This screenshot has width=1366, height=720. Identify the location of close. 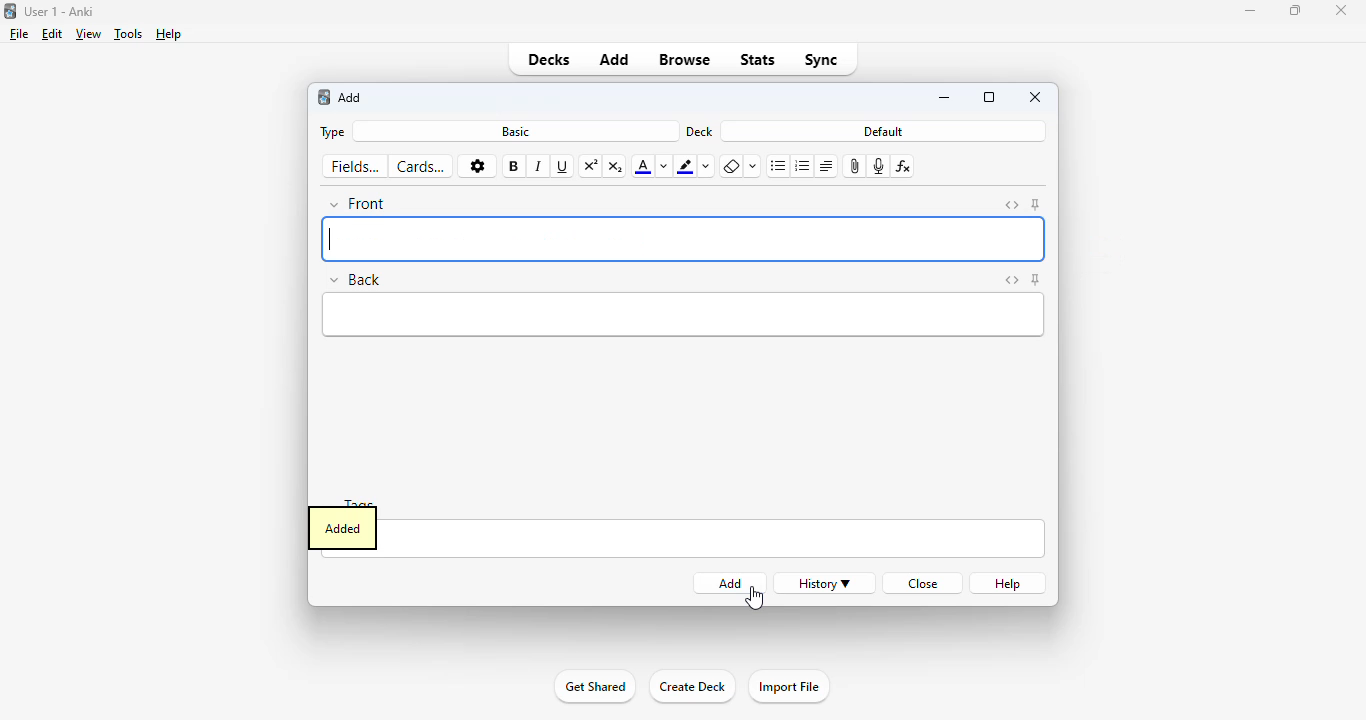
(1036, 97).